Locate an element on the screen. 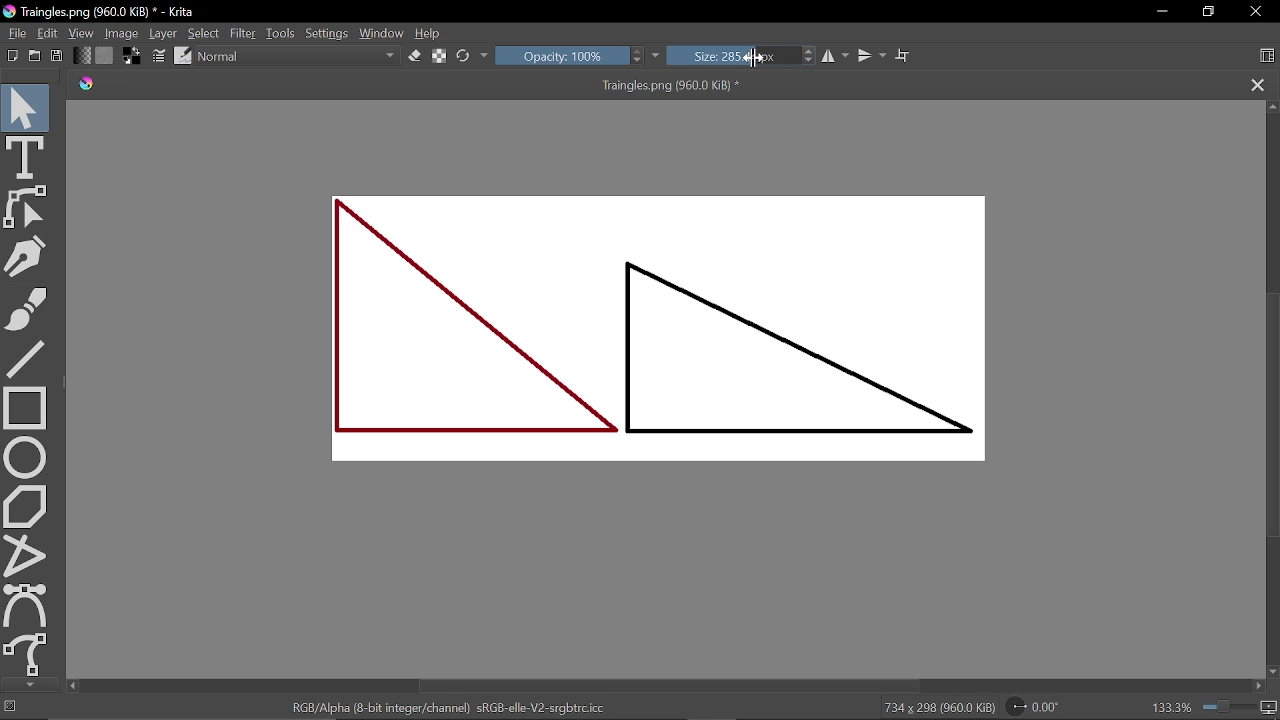 This screenshot has height=720, width=1280. Minimize is located at coordinates (1160, 11).